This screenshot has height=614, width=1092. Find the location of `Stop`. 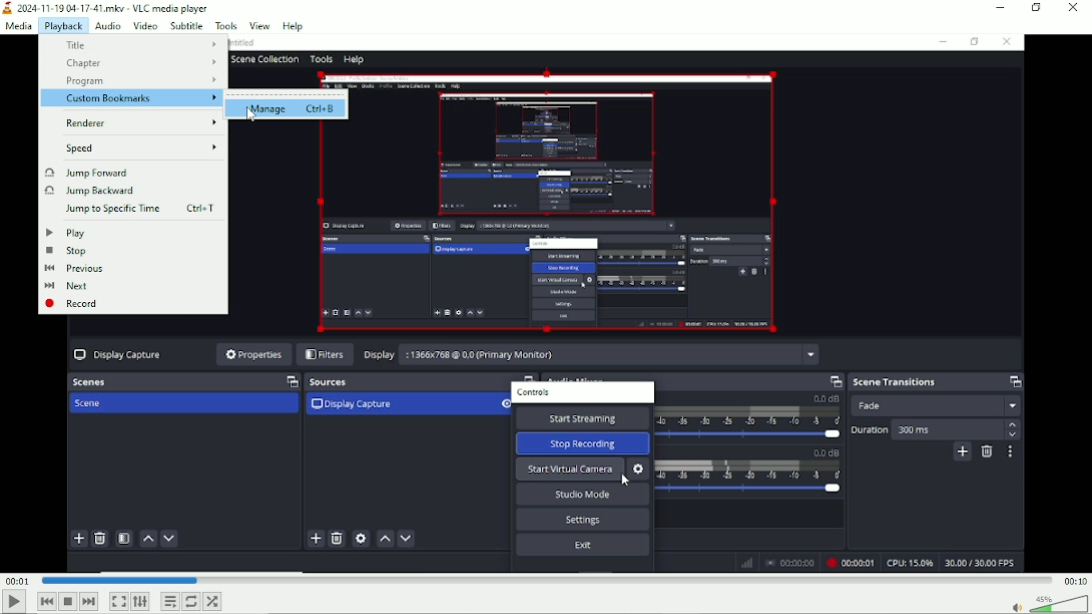

Stop is located at coordinates (66, 251).